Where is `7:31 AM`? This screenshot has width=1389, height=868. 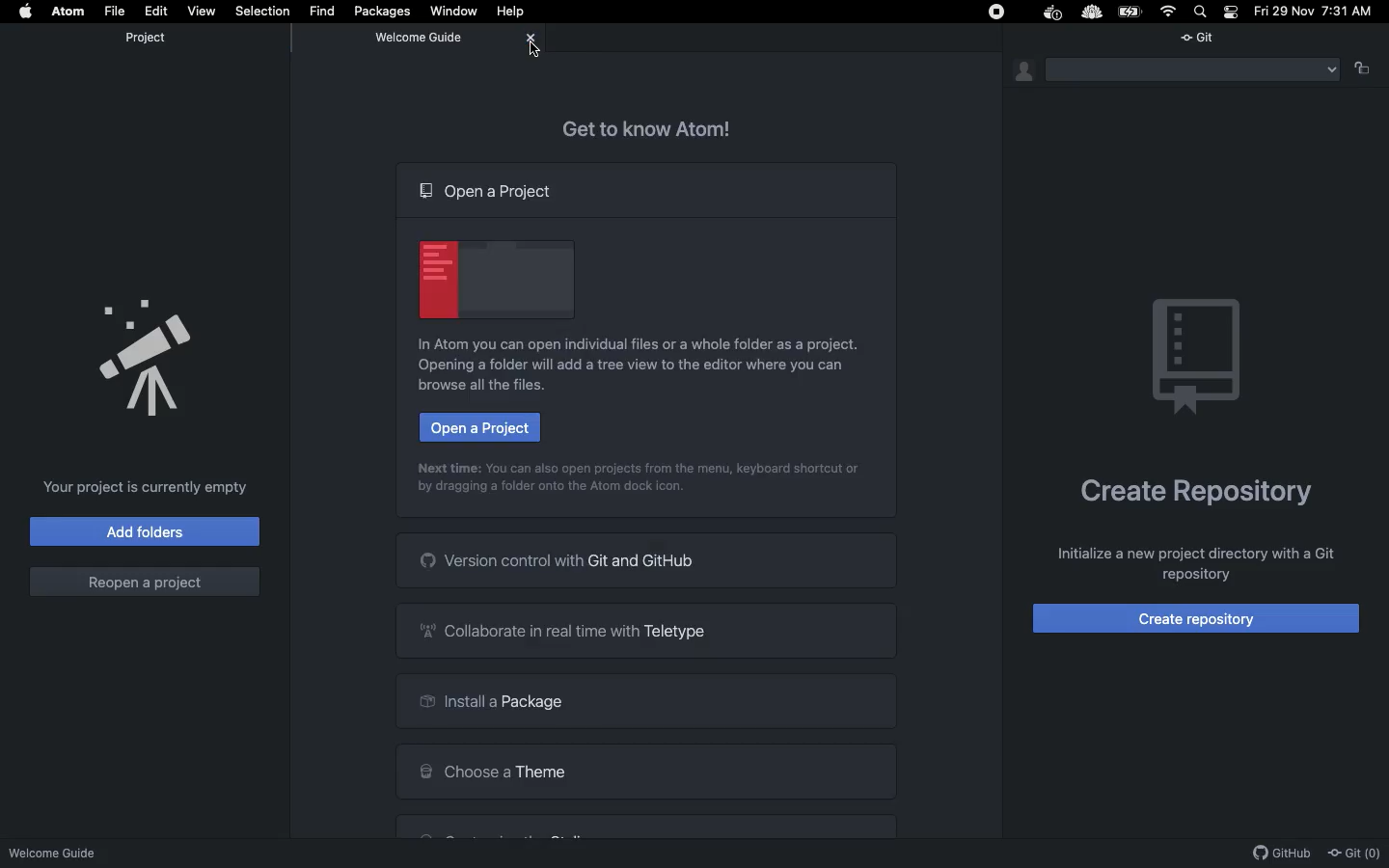 7:31 AM is located at coordinates (1352, 14).